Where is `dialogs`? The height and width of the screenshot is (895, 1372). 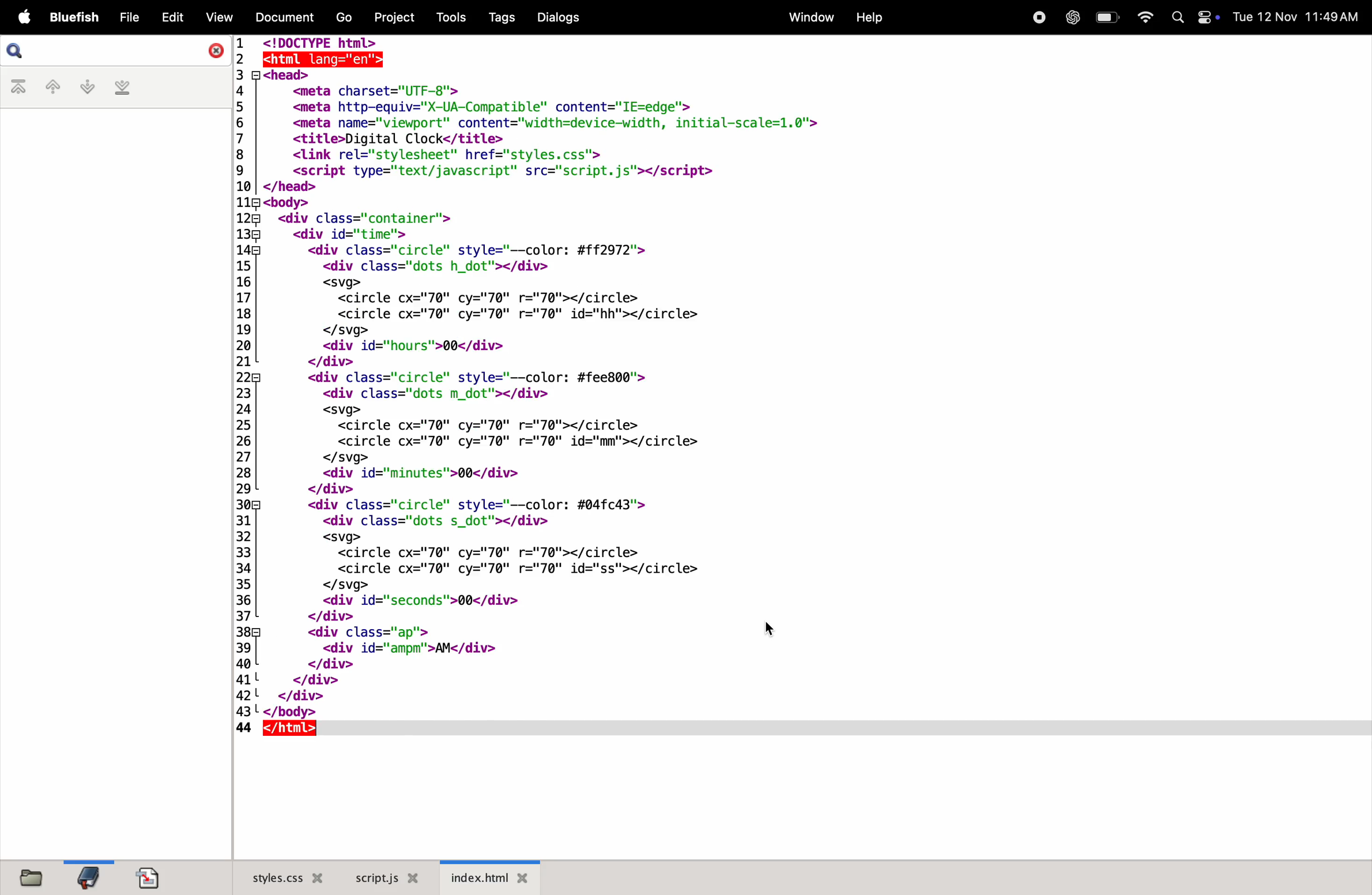
dialogs is located at coordinates (559, 17).